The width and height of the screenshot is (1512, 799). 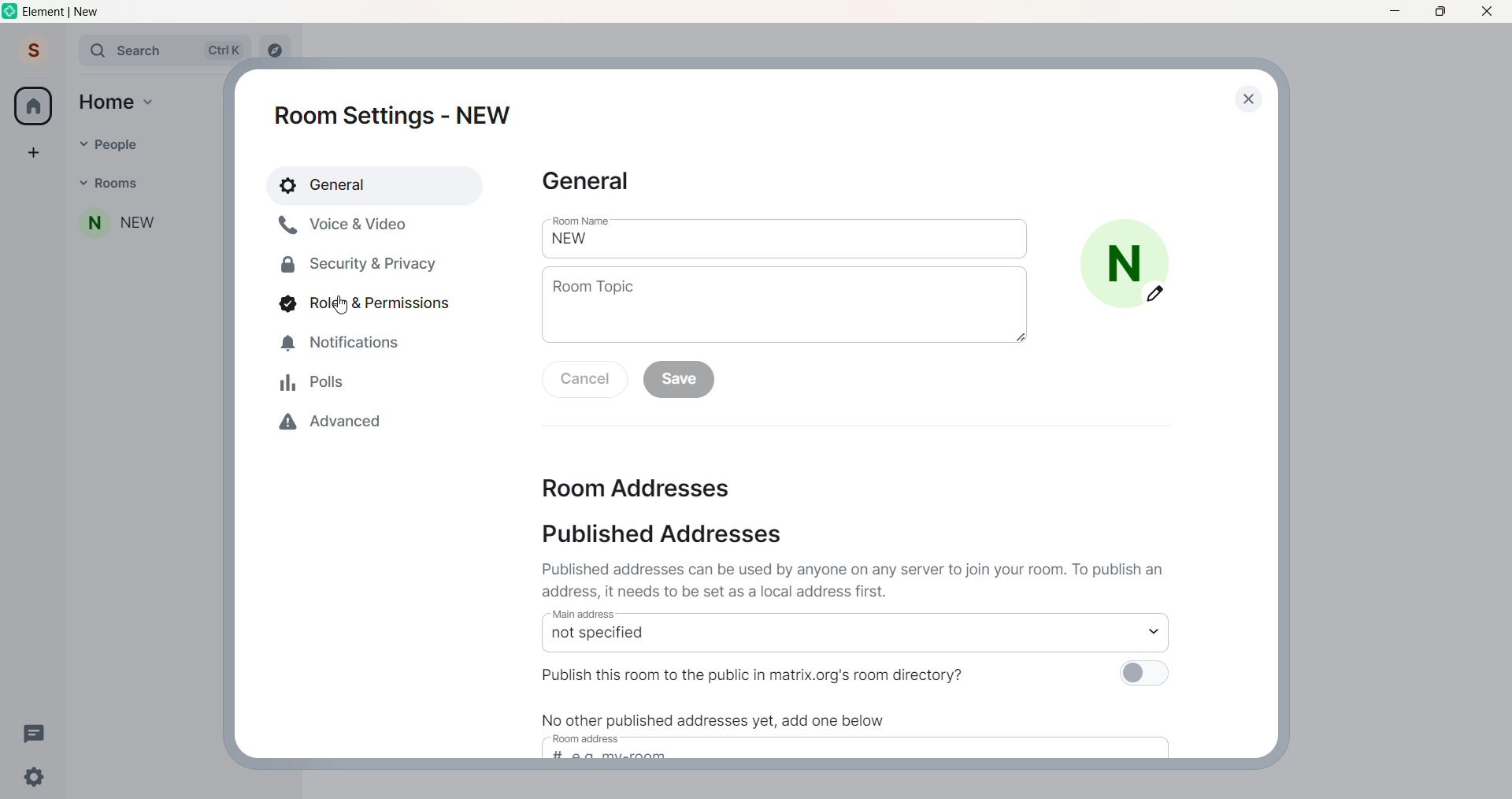 What do you see at coordinates (278, 50) in the screenshot?
I see `explore` at bounding box center [278, 50].